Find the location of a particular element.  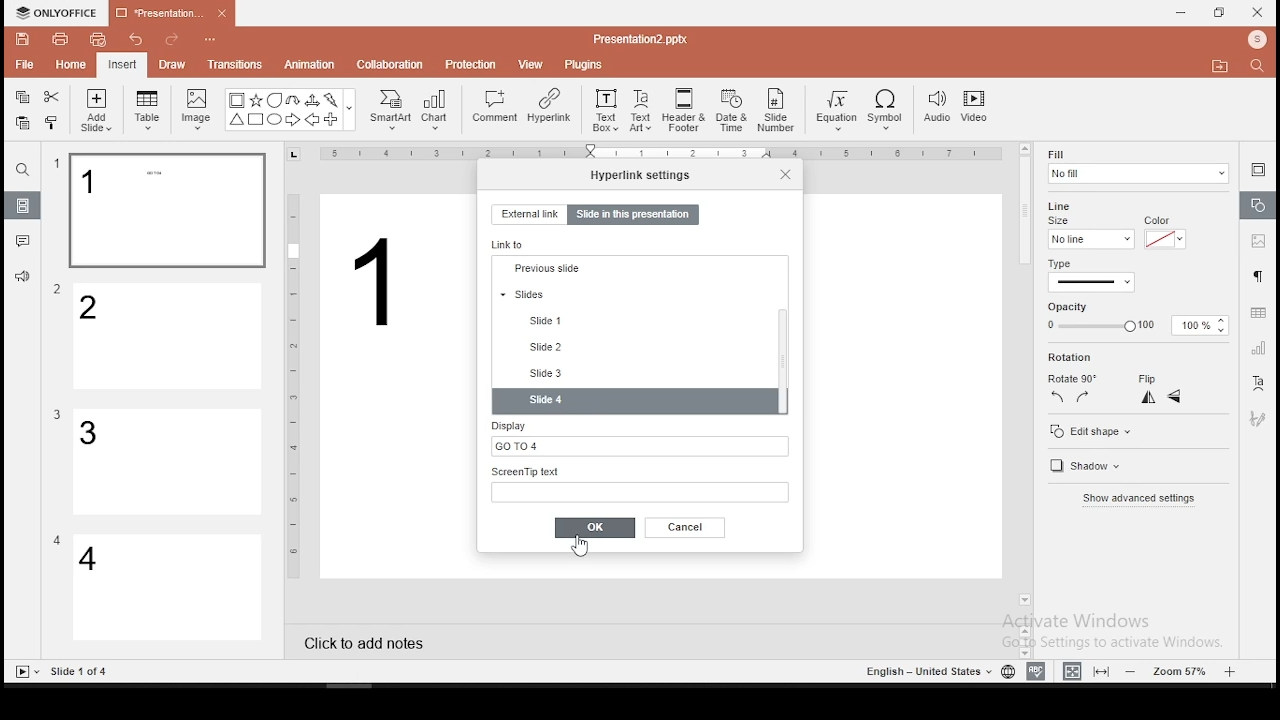

fit to width is located at coordinates (1068, 670).